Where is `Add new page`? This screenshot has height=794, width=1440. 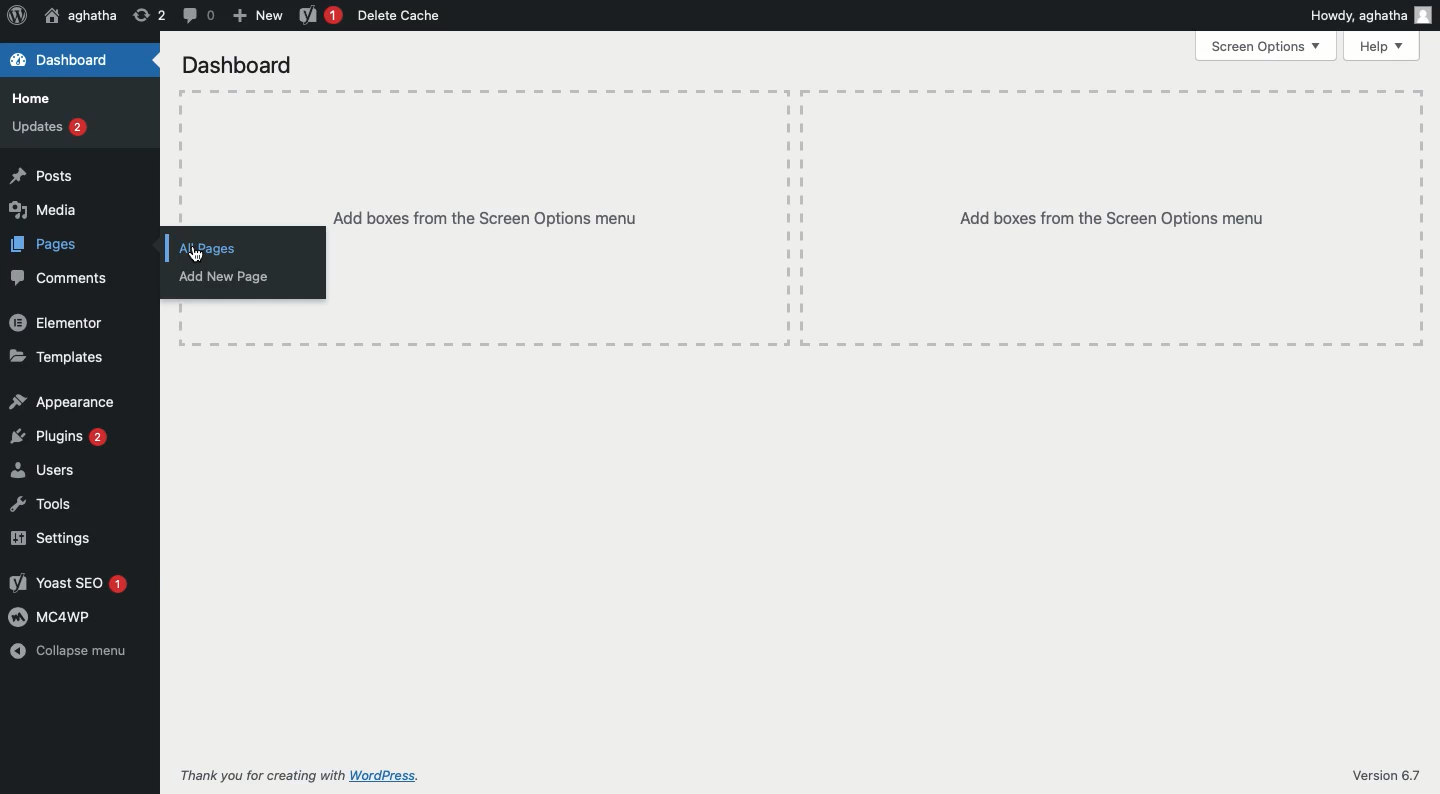 Add new page is located at coordinates (242, 277).